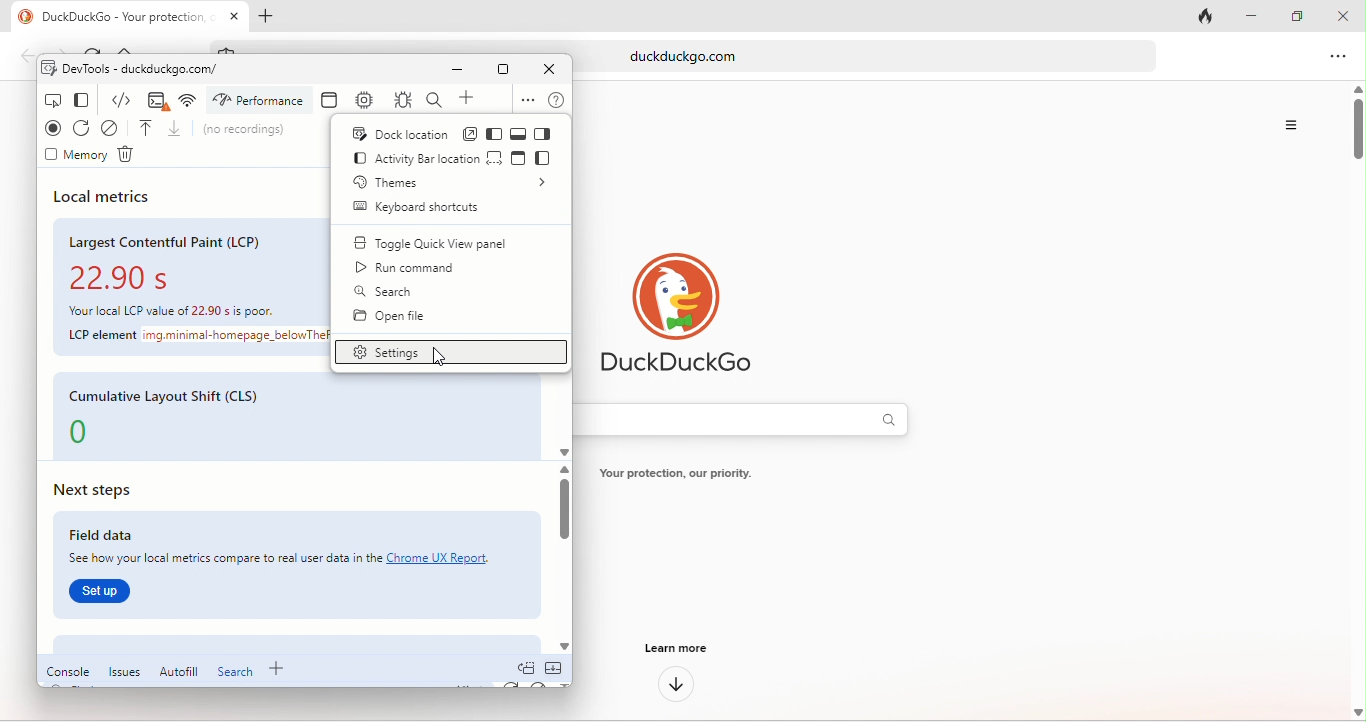 The width and height of the screenshot is (1366, 722). Describe the element at coordinates (437, 99) in the screenshot. I see `search` at that location.